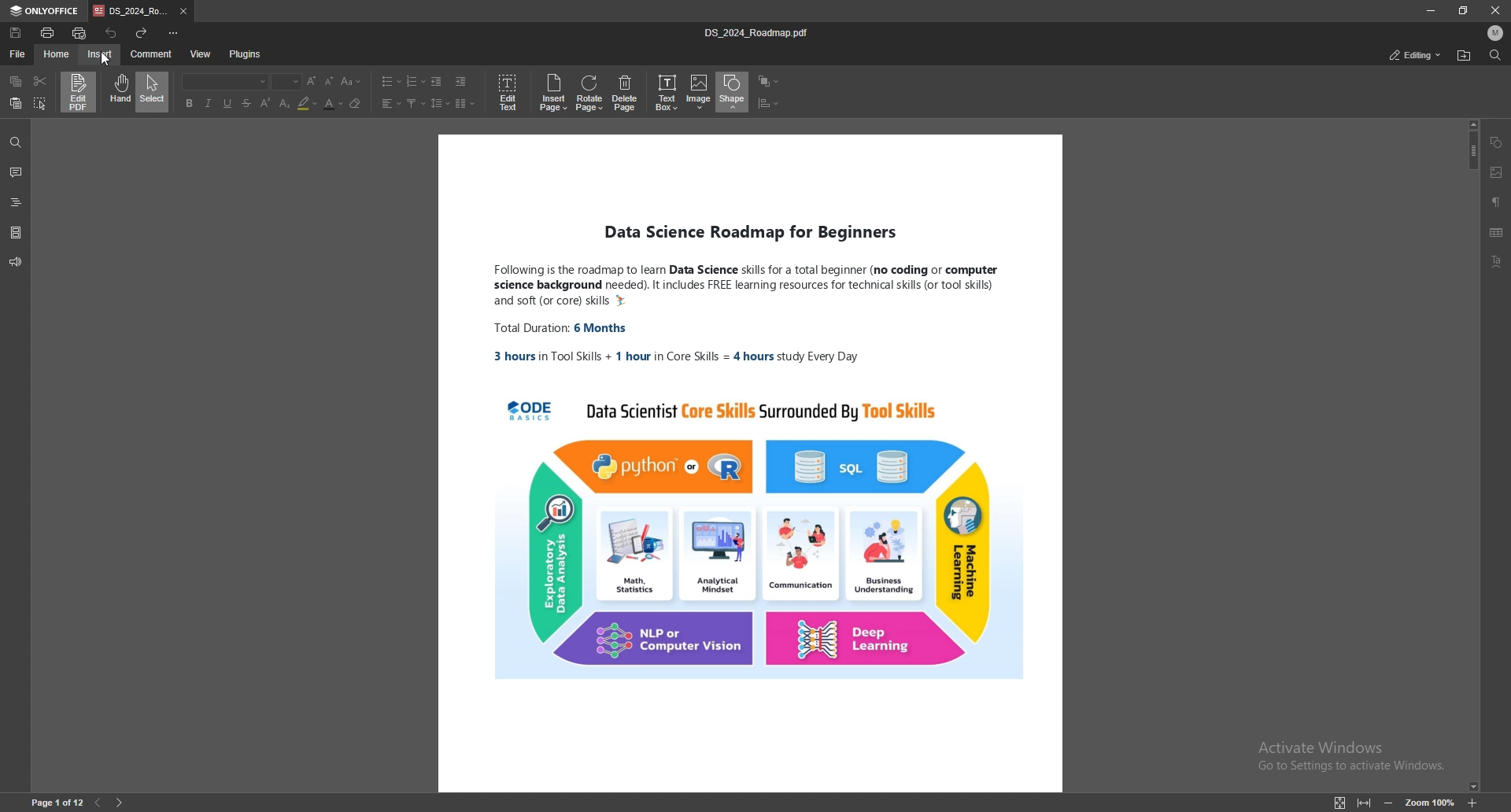 The height and width of the screenshot is (812, 1511). Describe the element at coordinates (17, 81) in the screenshot. I see `copy` at that location.